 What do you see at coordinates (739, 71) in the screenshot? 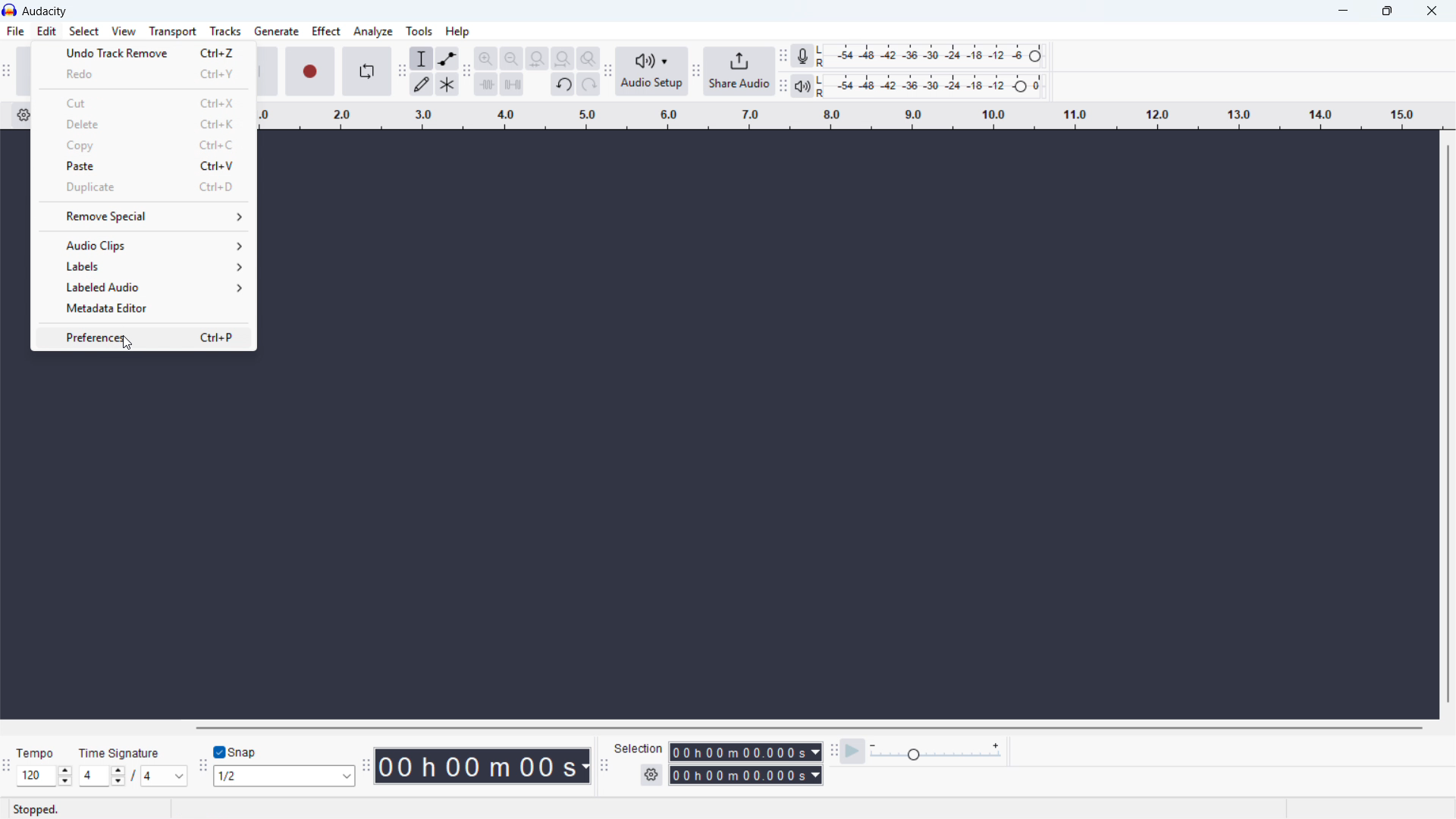
I see `share audio` at bounding box center [739, 71].